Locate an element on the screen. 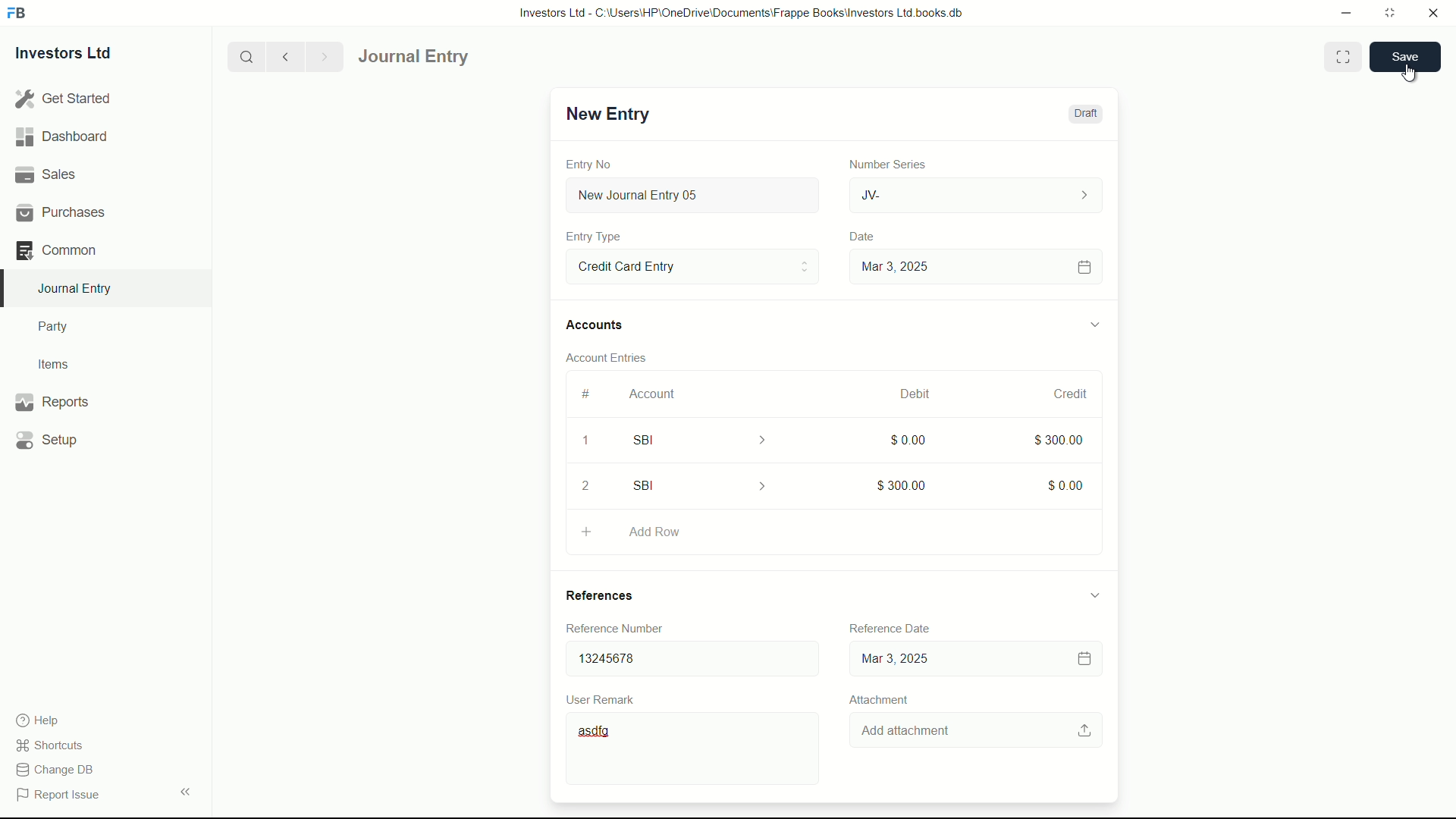 The width and height of the screenshot is (1456, 819). $0.00 is located at coordinates (1067, 482).